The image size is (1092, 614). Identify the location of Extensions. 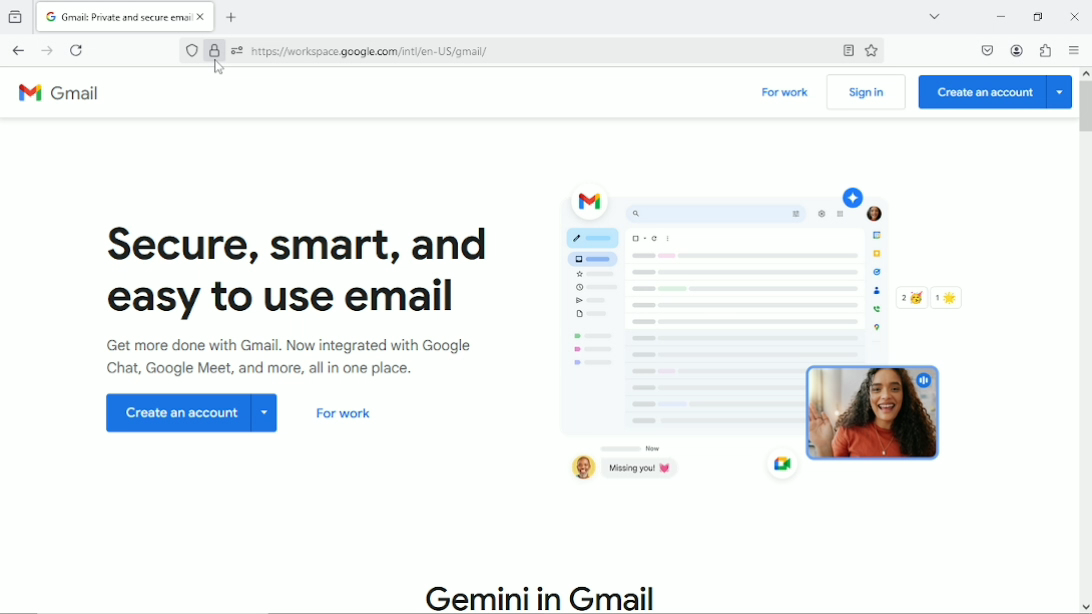
(1045, 50).